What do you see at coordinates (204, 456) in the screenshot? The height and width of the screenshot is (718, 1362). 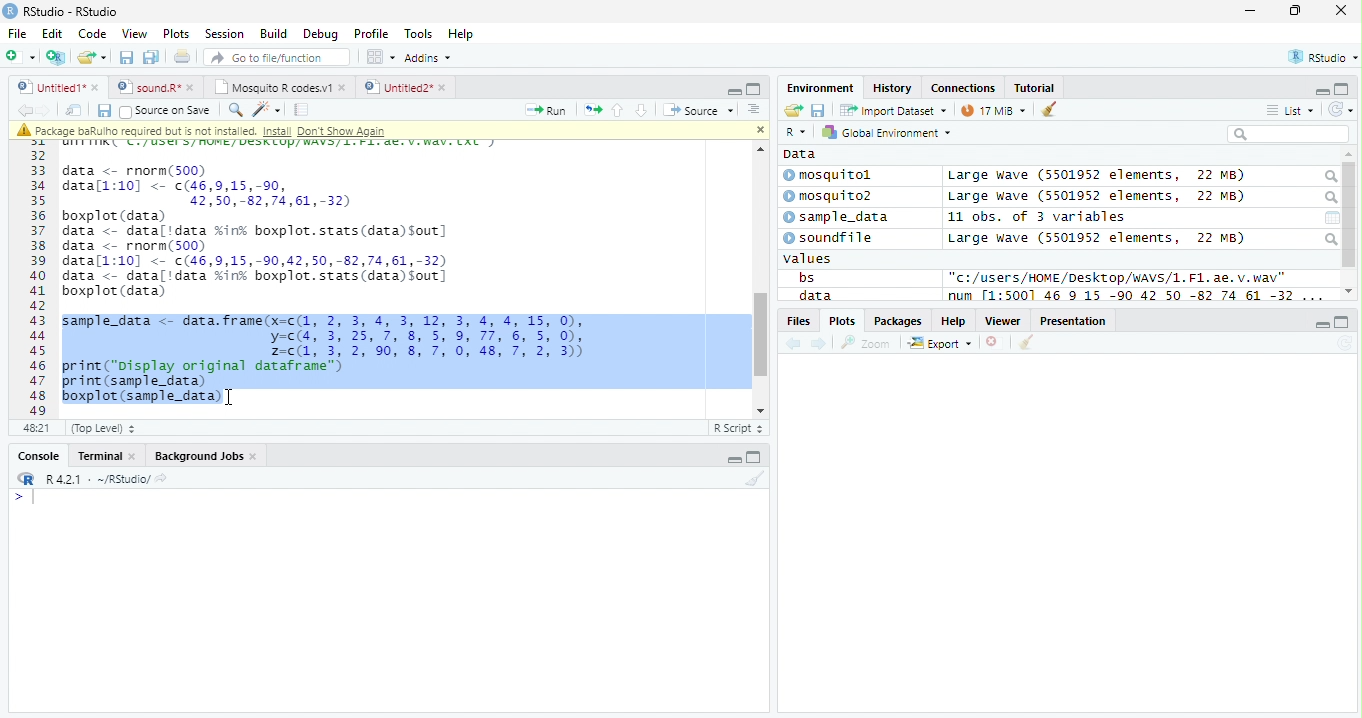 I see `Background Jobs` at bounding box center [204, 456].